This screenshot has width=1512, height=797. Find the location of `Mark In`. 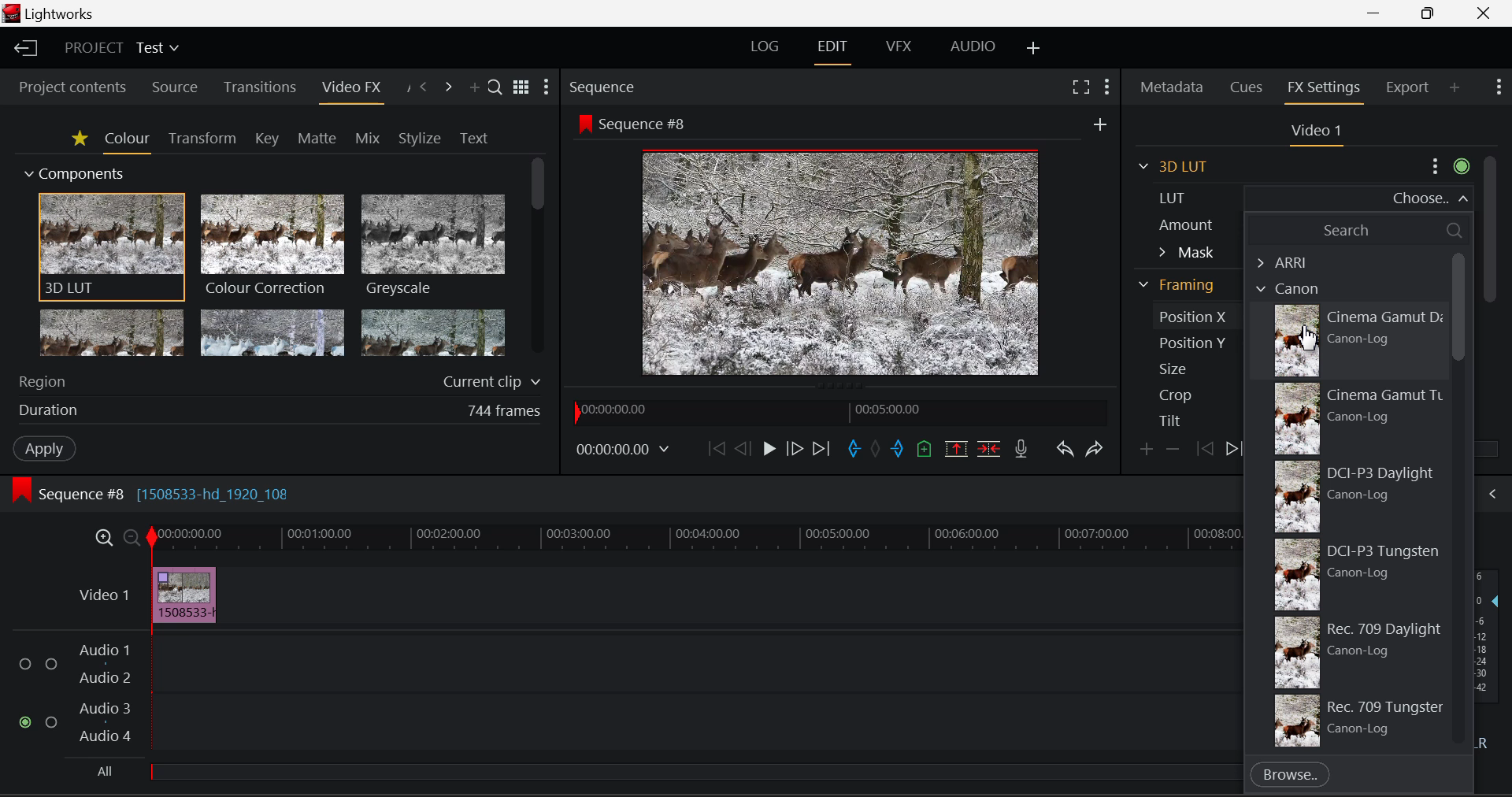

Mark In is located at coordinates (854, 450).